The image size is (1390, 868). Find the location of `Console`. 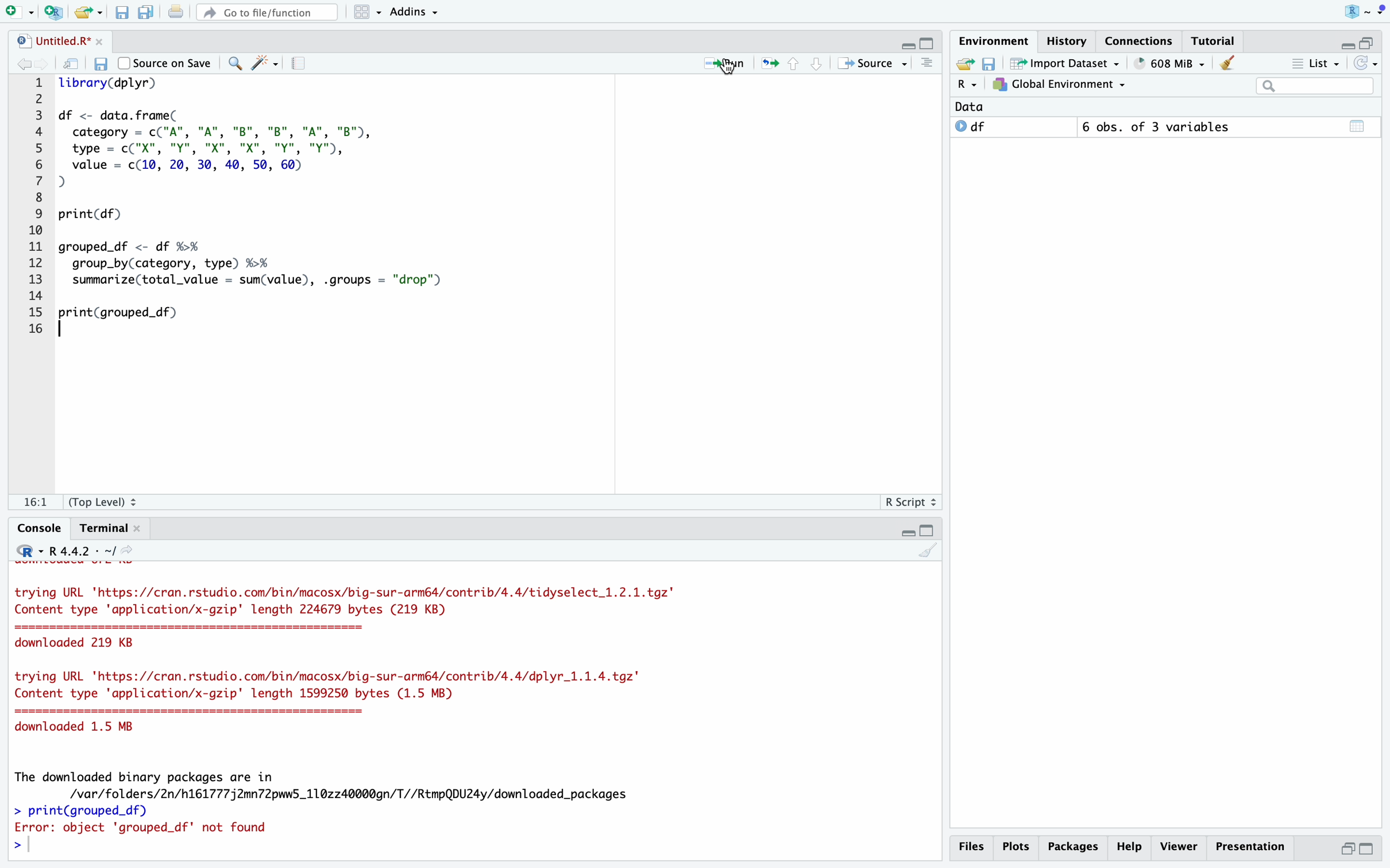

Console is located at coordinates (40, 528).